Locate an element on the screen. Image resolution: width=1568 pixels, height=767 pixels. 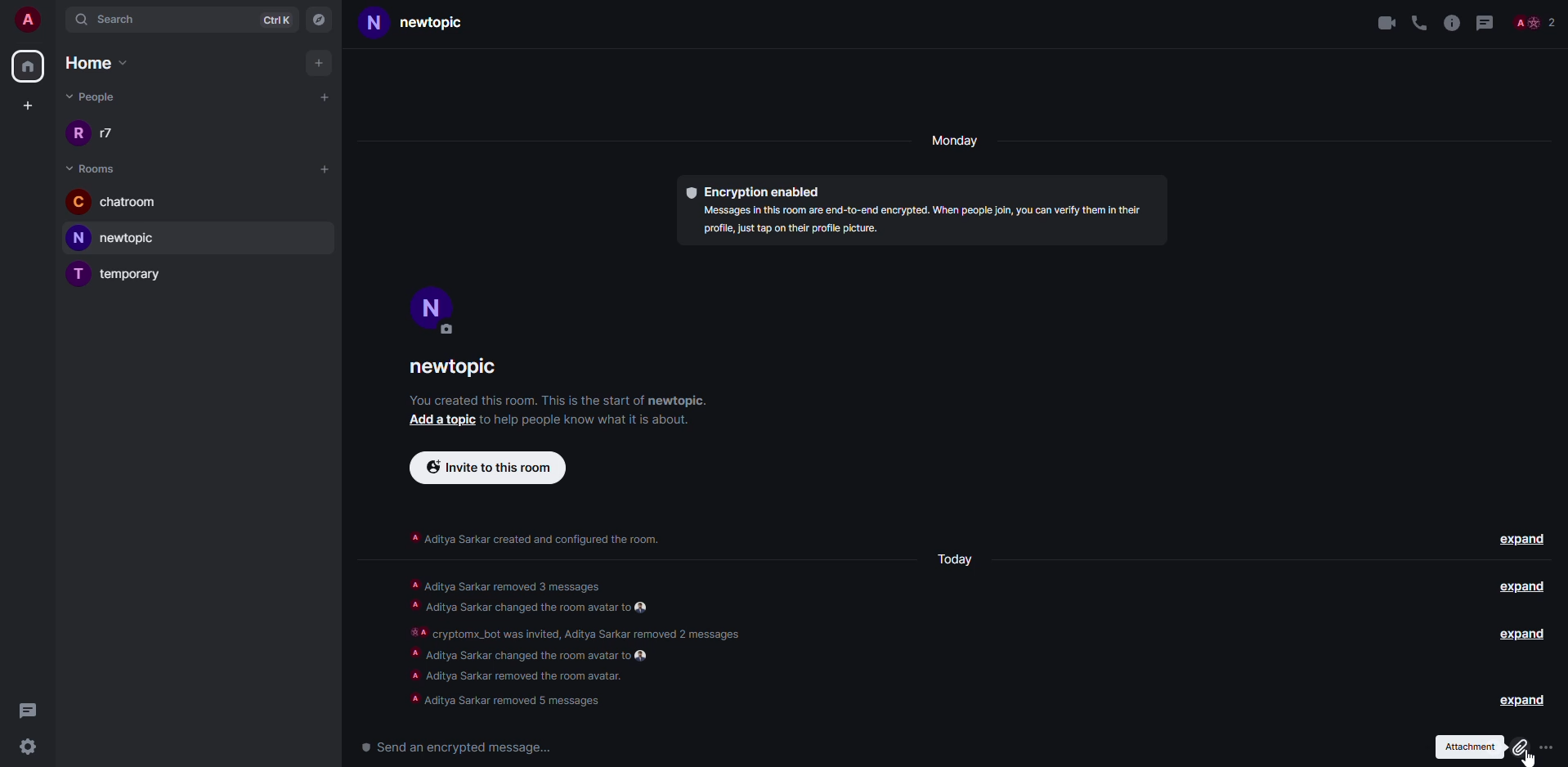
add is located at coordinates (322, 168).